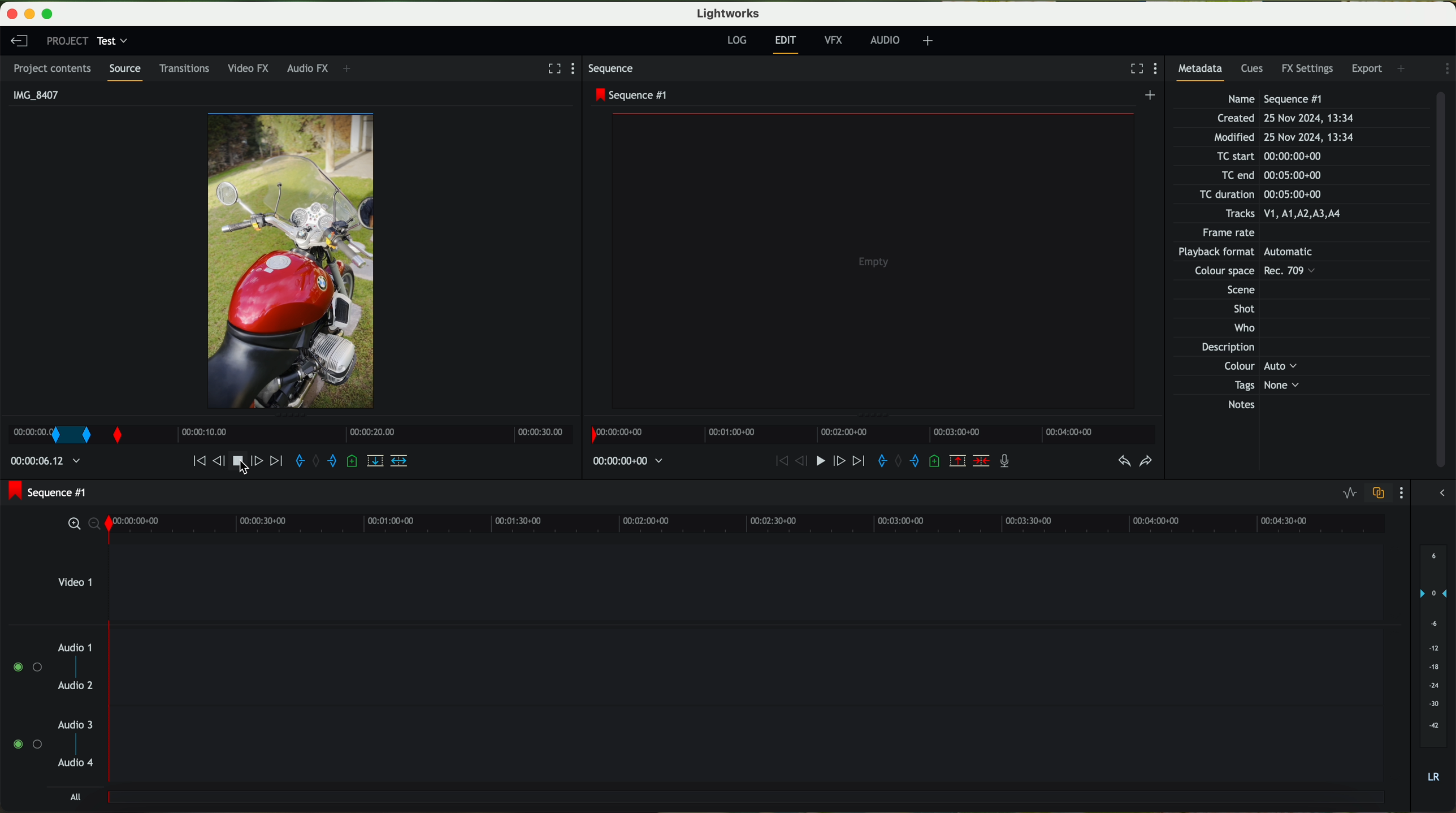 The image size is (1456, 813). Describe the element at coordinates (981, 461) in the screenshot. I see `delete/cut` at that location.